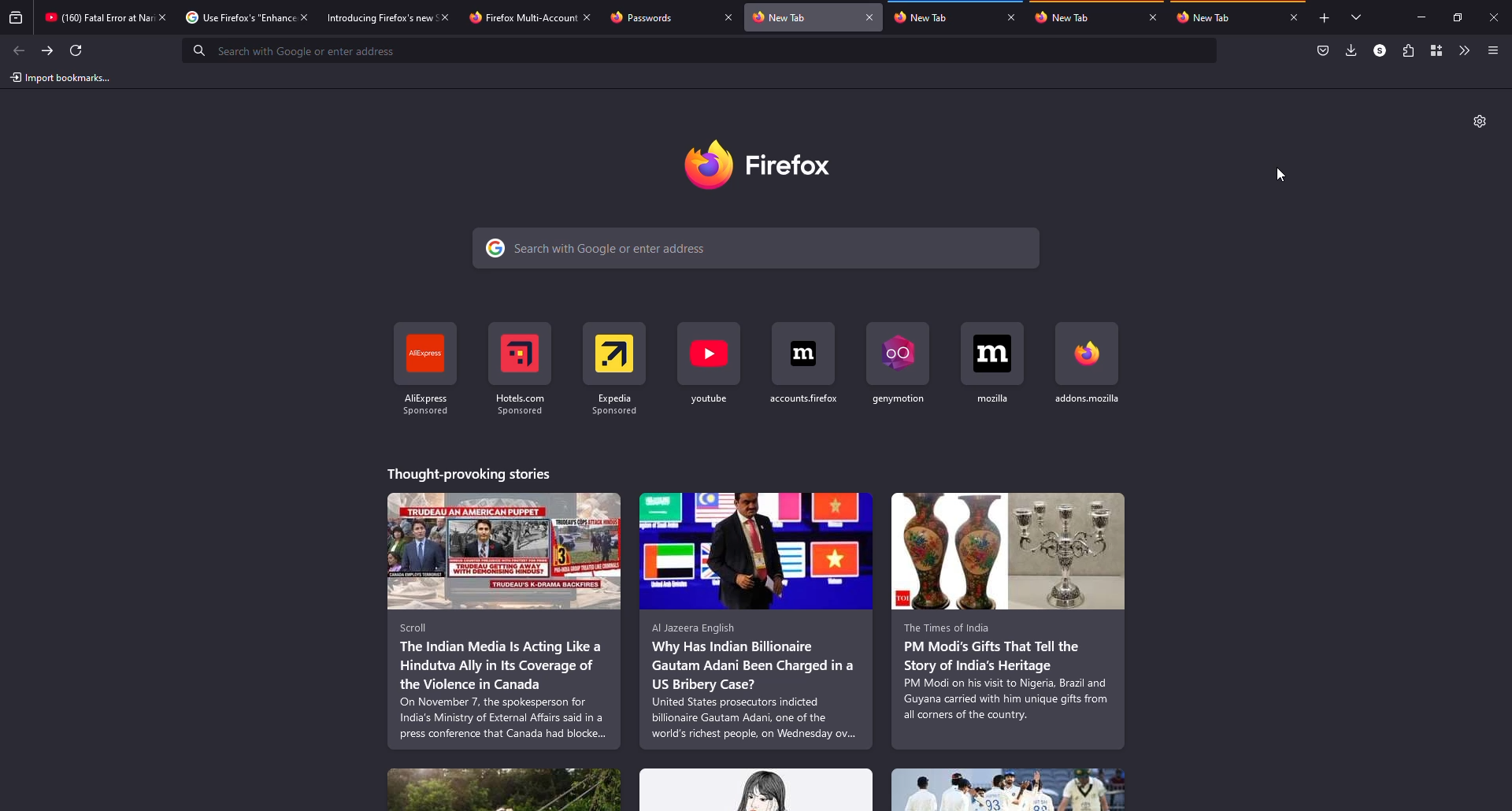  What do you see at coordinates (658, 17) in the screenshot?
I see `tab` at bounding box center [658, 17].